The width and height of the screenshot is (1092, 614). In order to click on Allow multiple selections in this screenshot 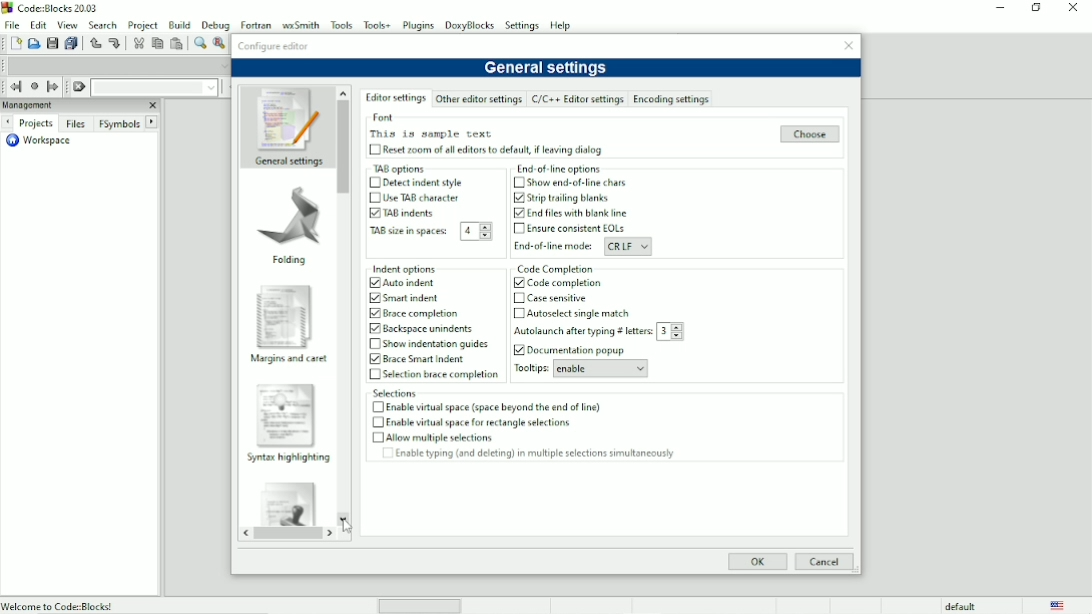, I will do `click(438, 437)`.